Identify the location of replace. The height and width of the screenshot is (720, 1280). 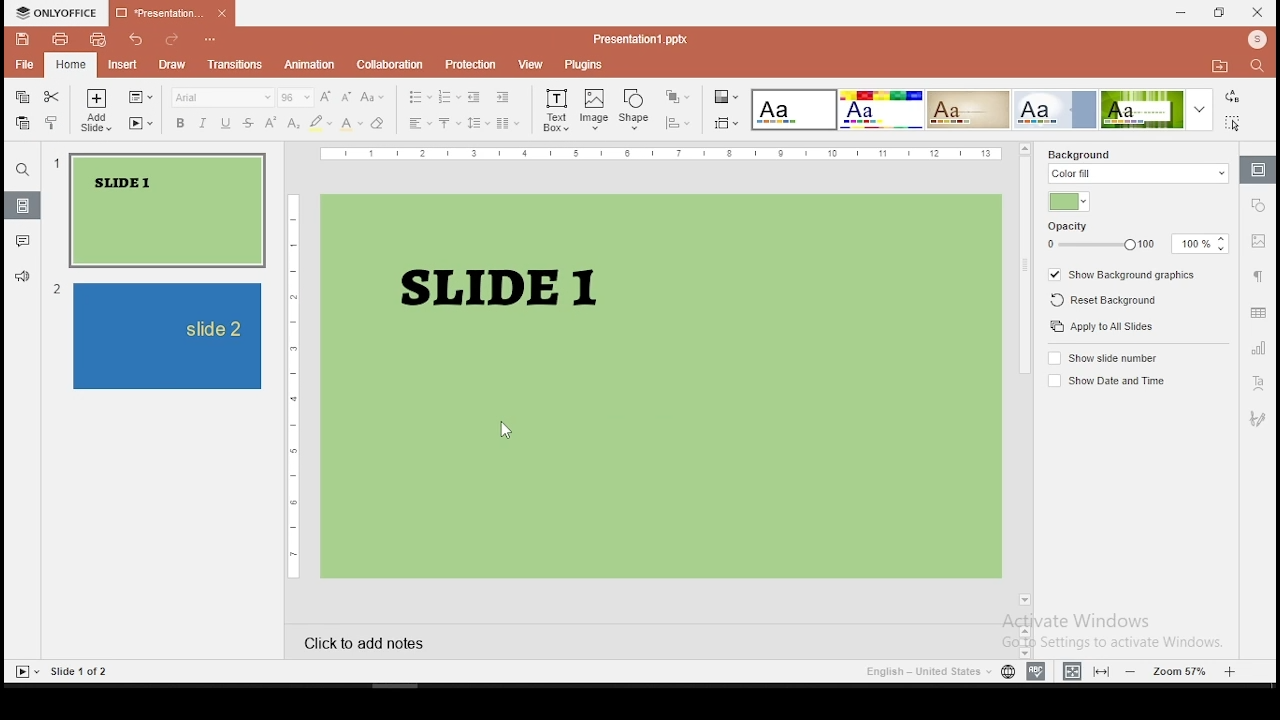
(1233, 96).